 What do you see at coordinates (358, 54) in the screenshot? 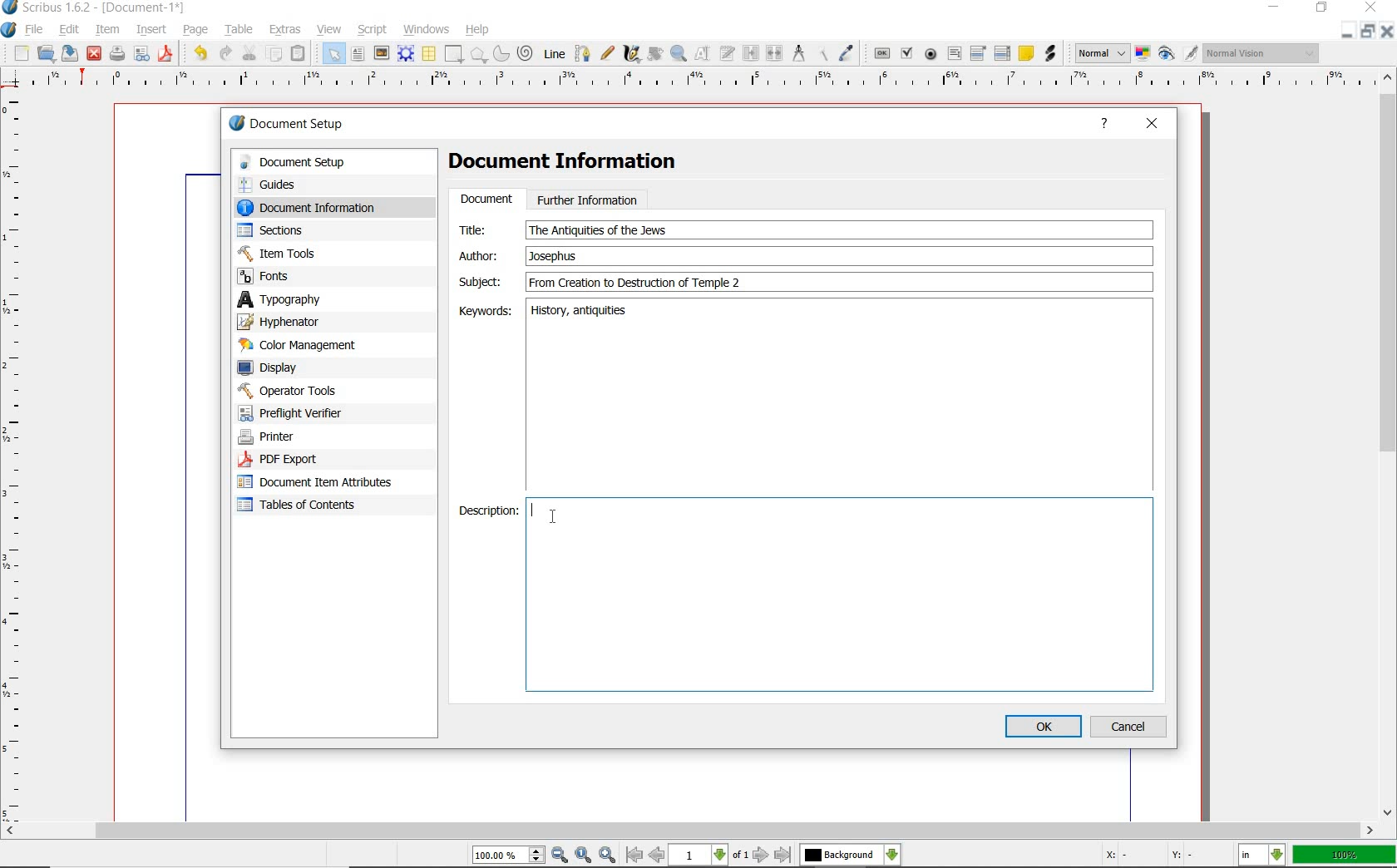
I see `text frame` at bounding box center [358, 54].